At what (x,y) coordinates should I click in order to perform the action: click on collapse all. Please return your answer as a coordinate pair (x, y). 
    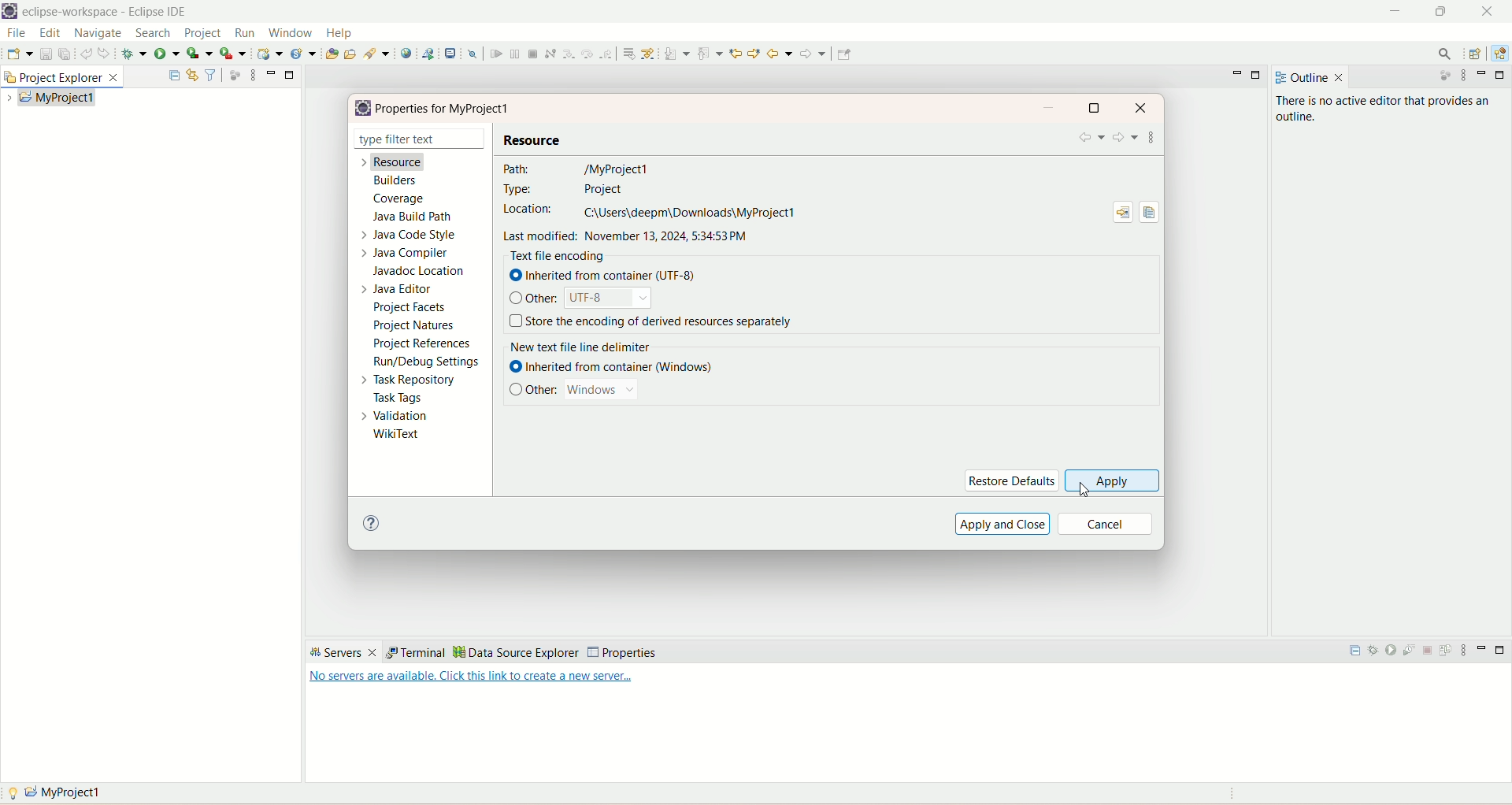
    Looking at the image, I should click on (1355, 655).